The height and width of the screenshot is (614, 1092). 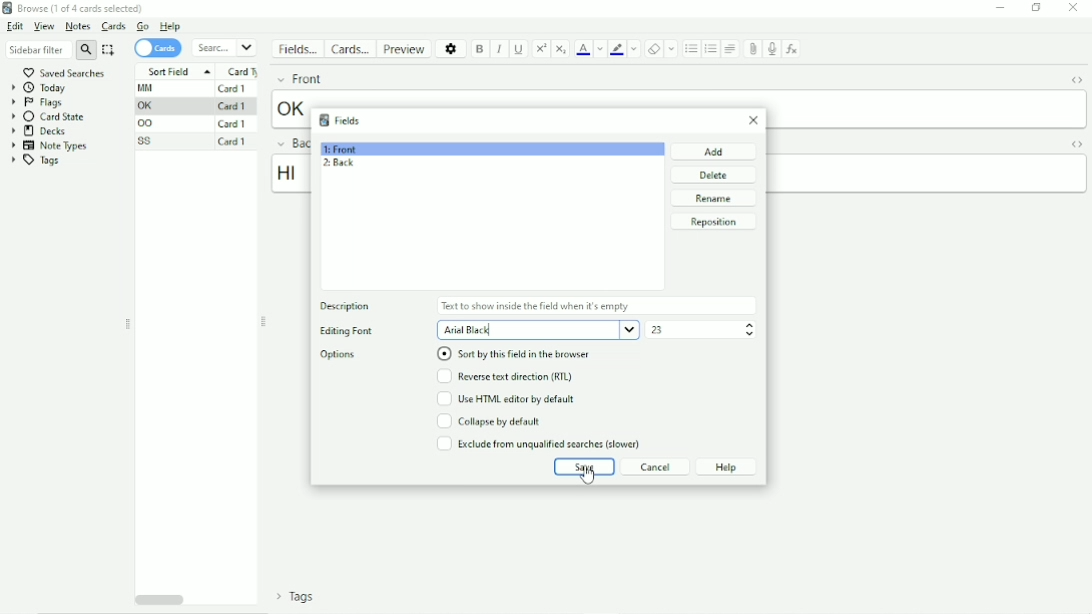 I want to click on Note Types, so click(x=48, y=146).